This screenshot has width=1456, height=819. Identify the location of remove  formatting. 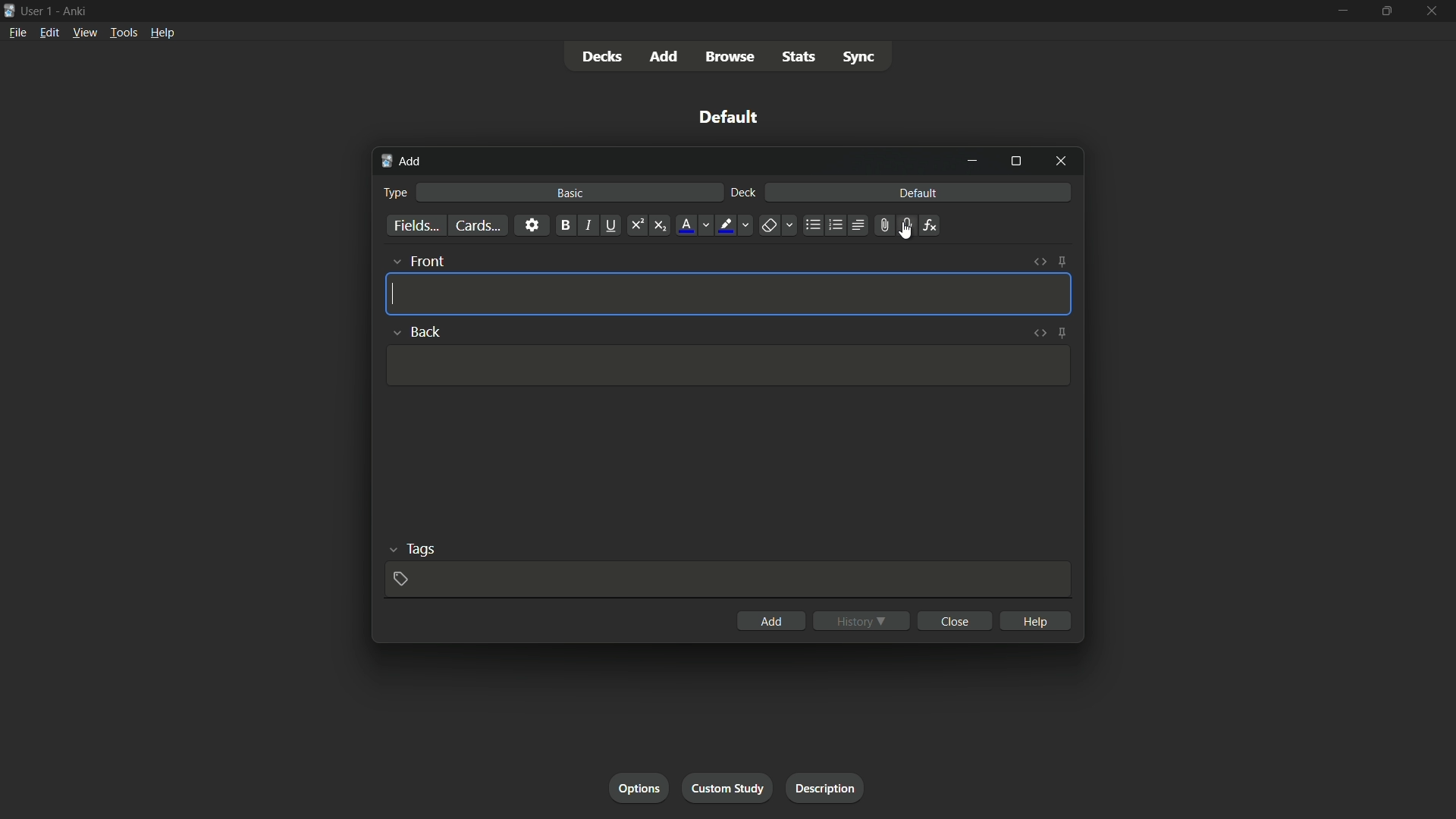
(768, 226).